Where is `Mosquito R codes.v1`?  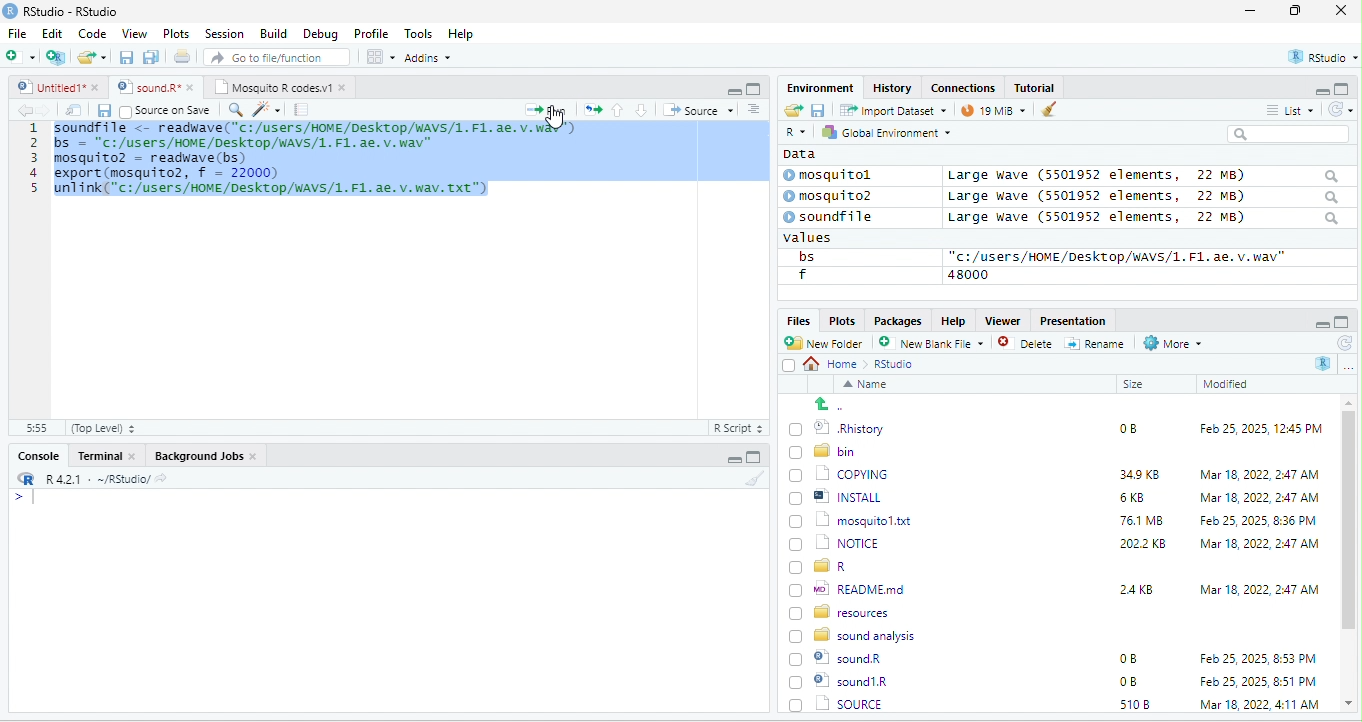
Mosquito R codes.v1 is located at coordinates (276, 87).